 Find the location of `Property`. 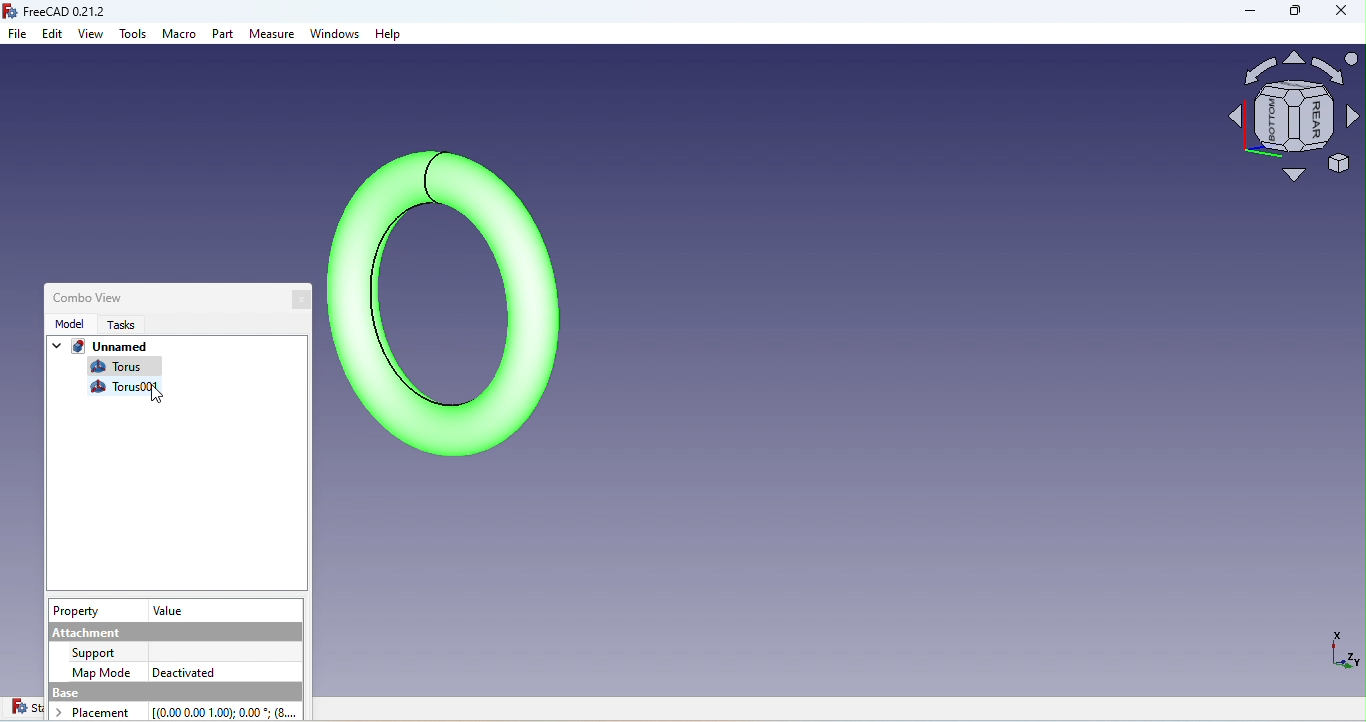

Property is located at coordinates (80, 611).